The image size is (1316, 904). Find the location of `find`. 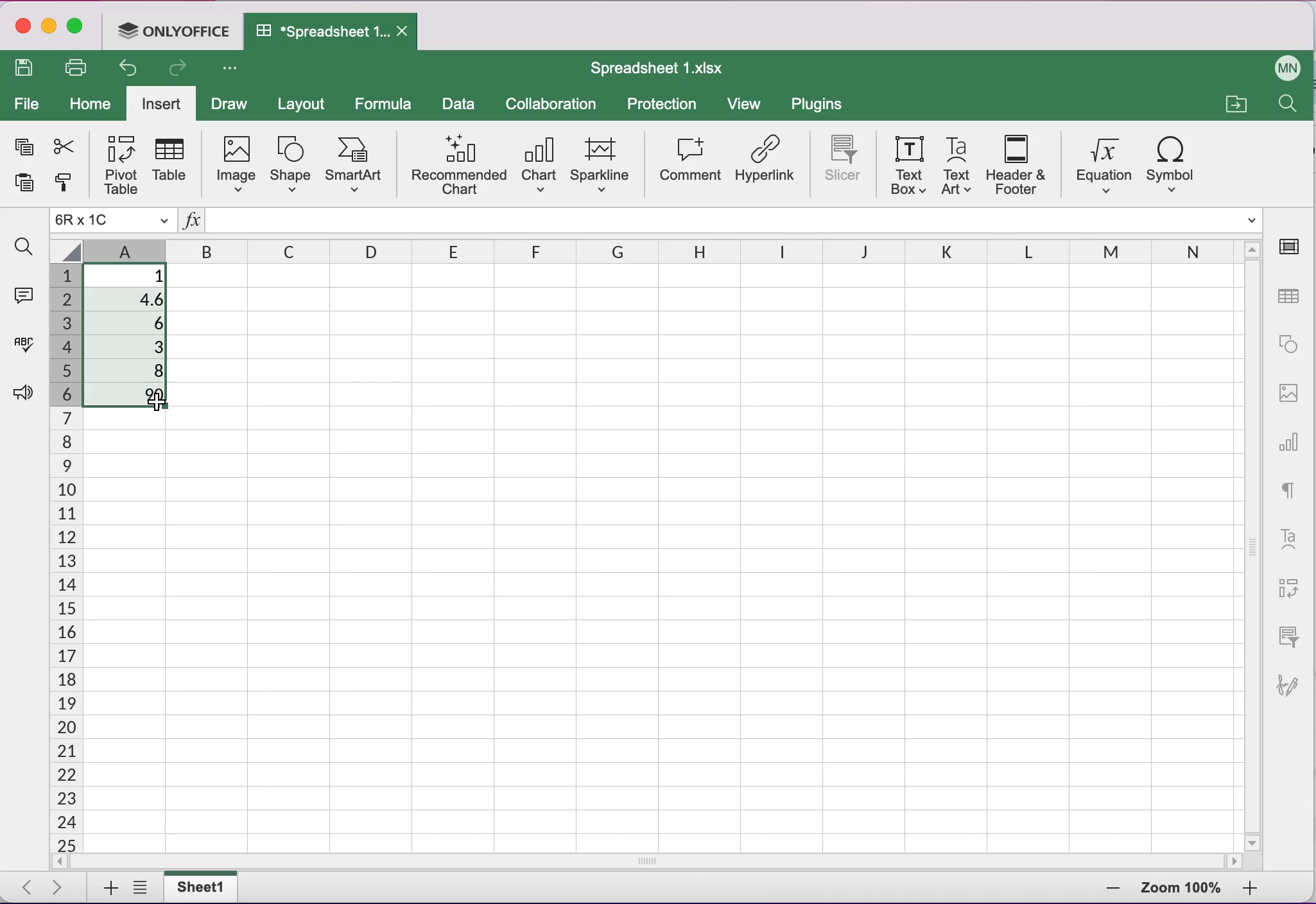

find is located at coordinates (1282, 104).